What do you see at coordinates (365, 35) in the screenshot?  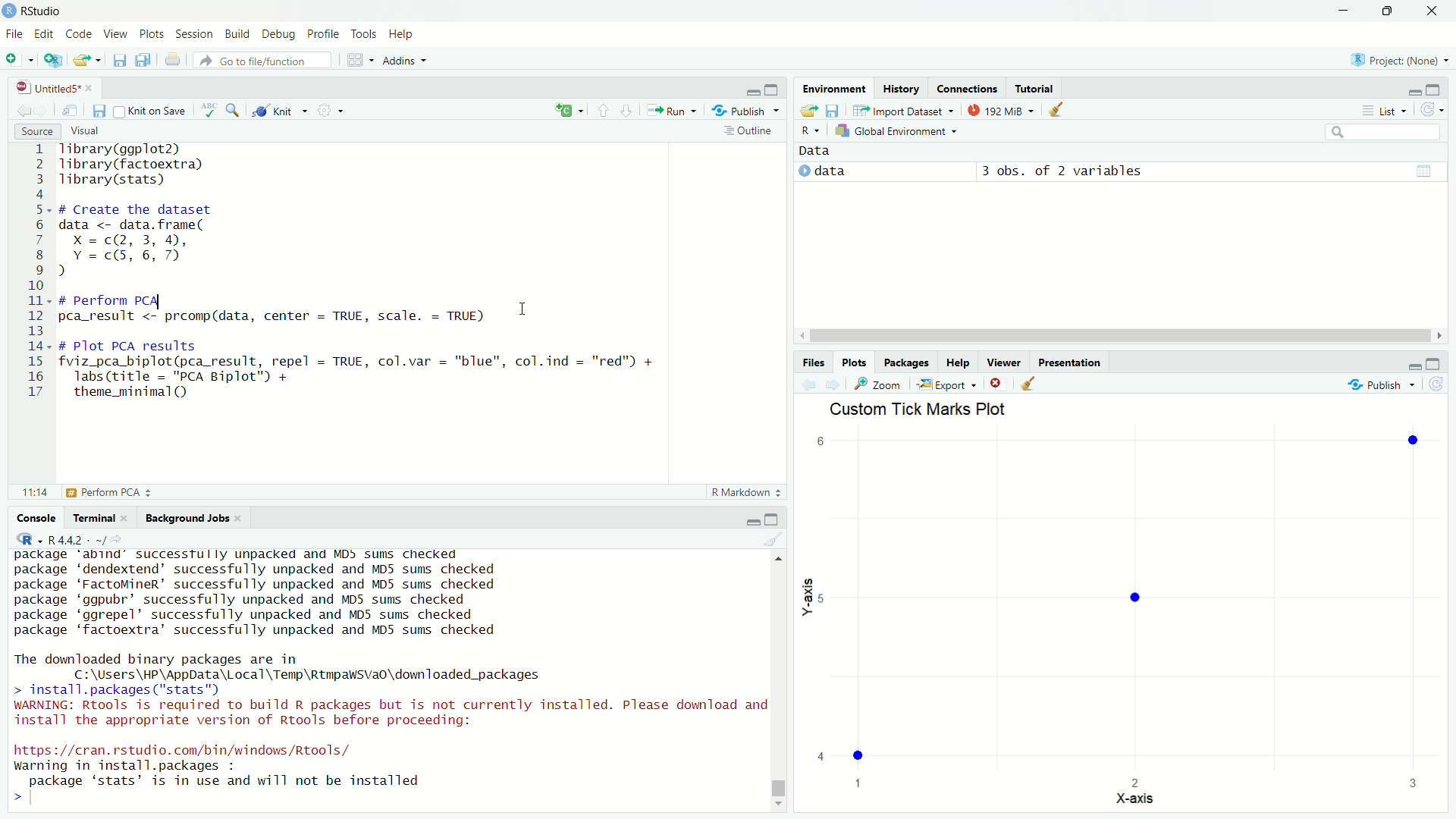 I see `Tools` at bounding box center [365, 35].